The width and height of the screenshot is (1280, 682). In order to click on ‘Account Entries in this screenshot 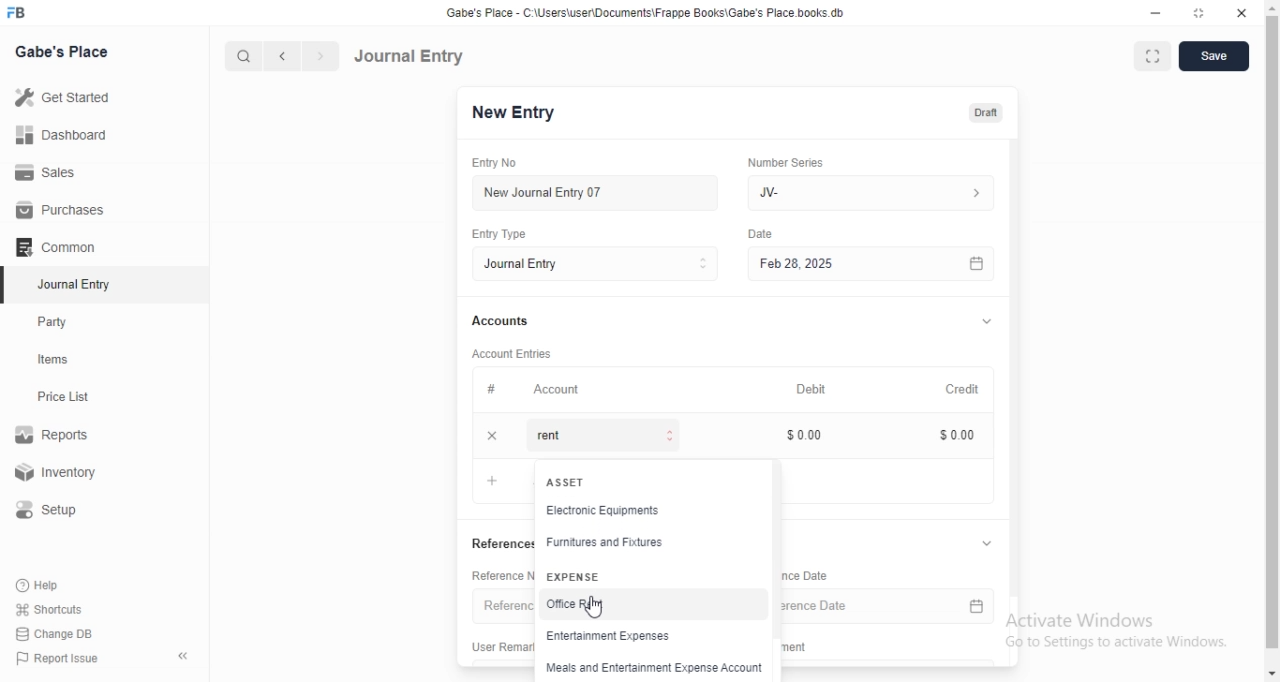, I will do `click(521, 353)`.